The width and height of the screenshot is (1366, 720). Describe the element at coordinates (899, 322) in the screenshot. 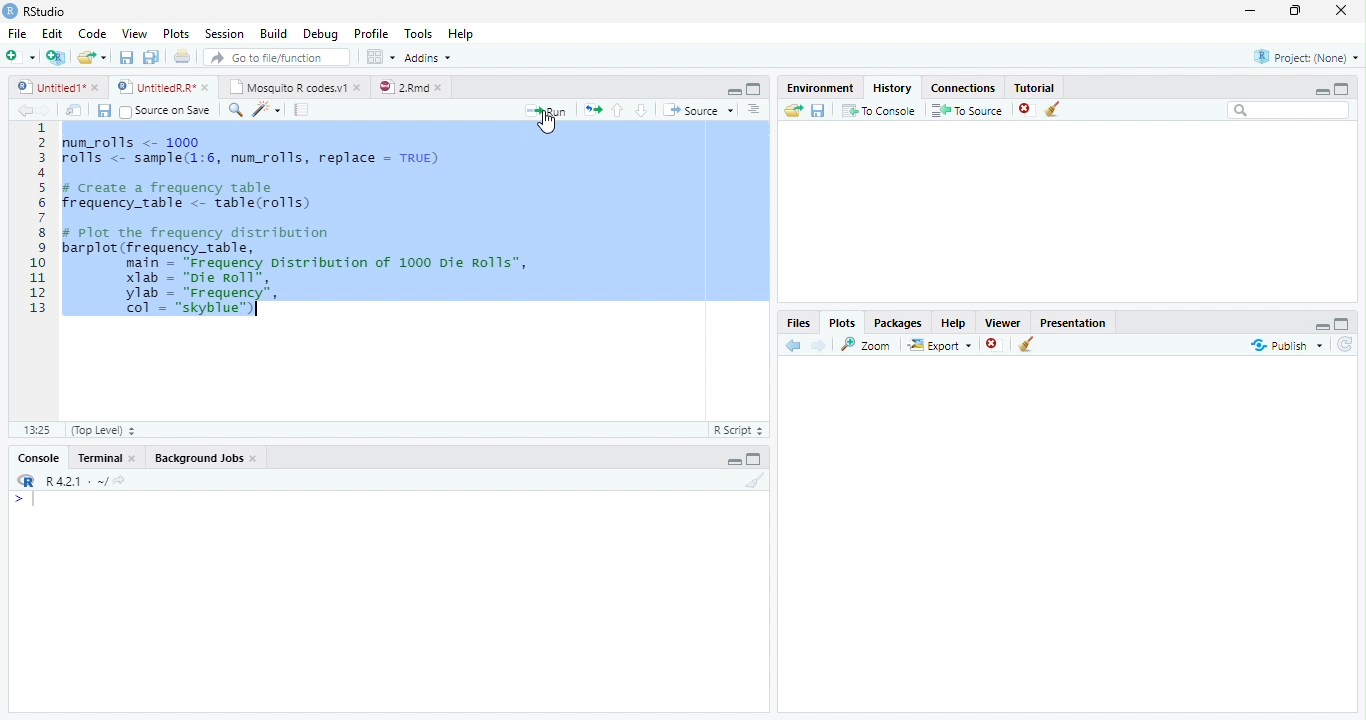

I see `Packages` at that location.